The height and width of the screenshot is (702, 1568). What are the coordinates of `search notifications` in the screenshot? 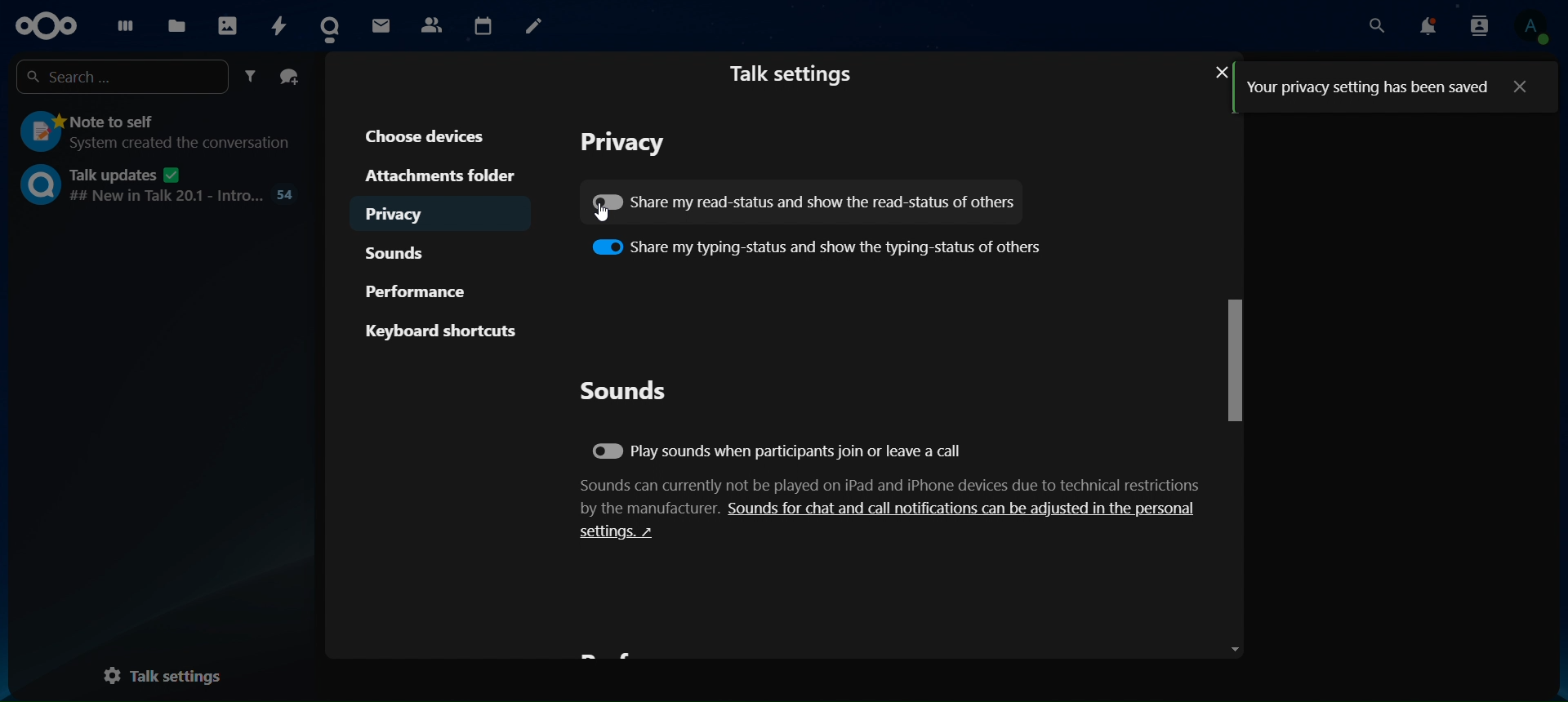 It's located at (1479, 27).